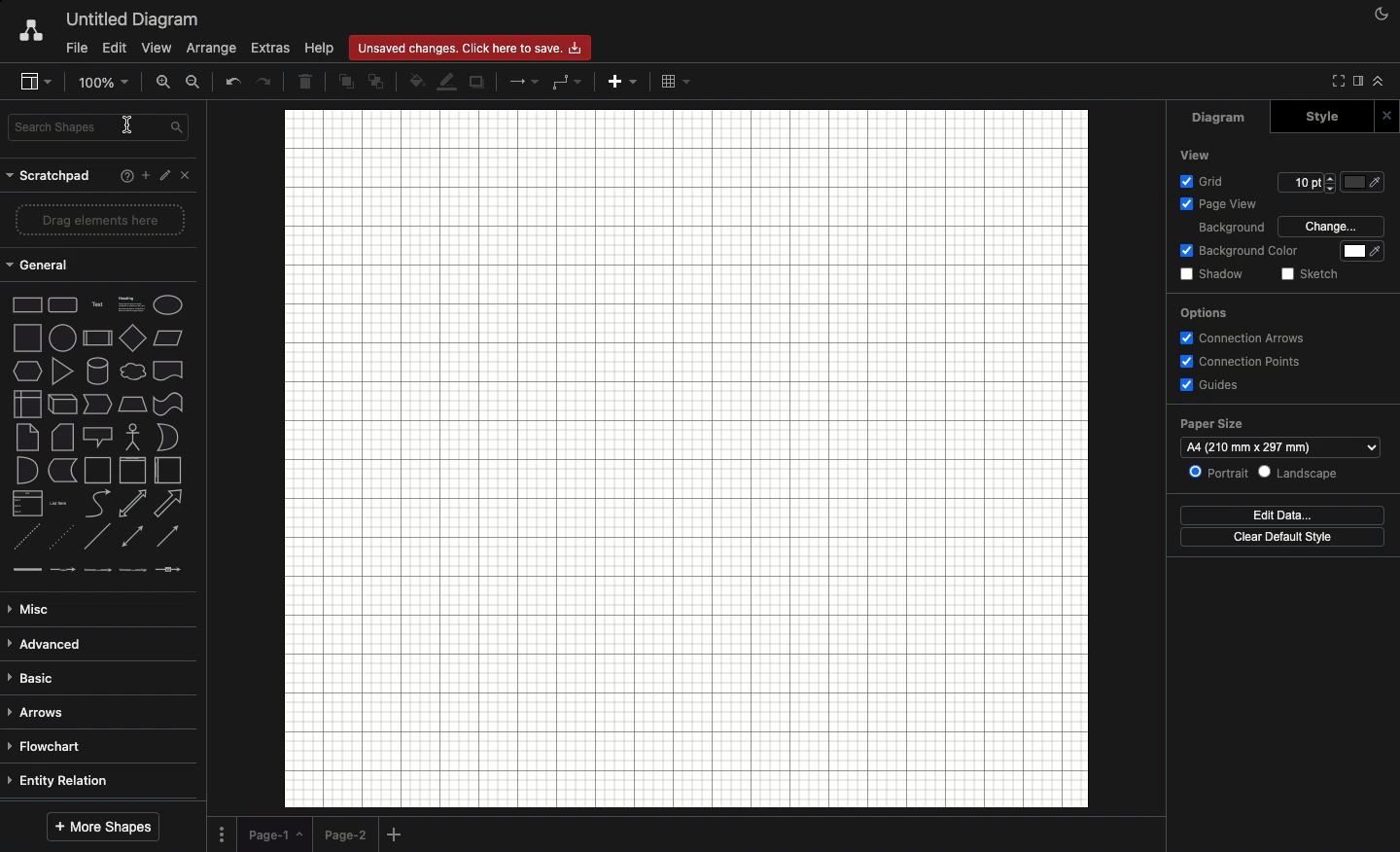  Describe the element at coordinates (162, 173) in the screenshot. I see `Edit` at that location.